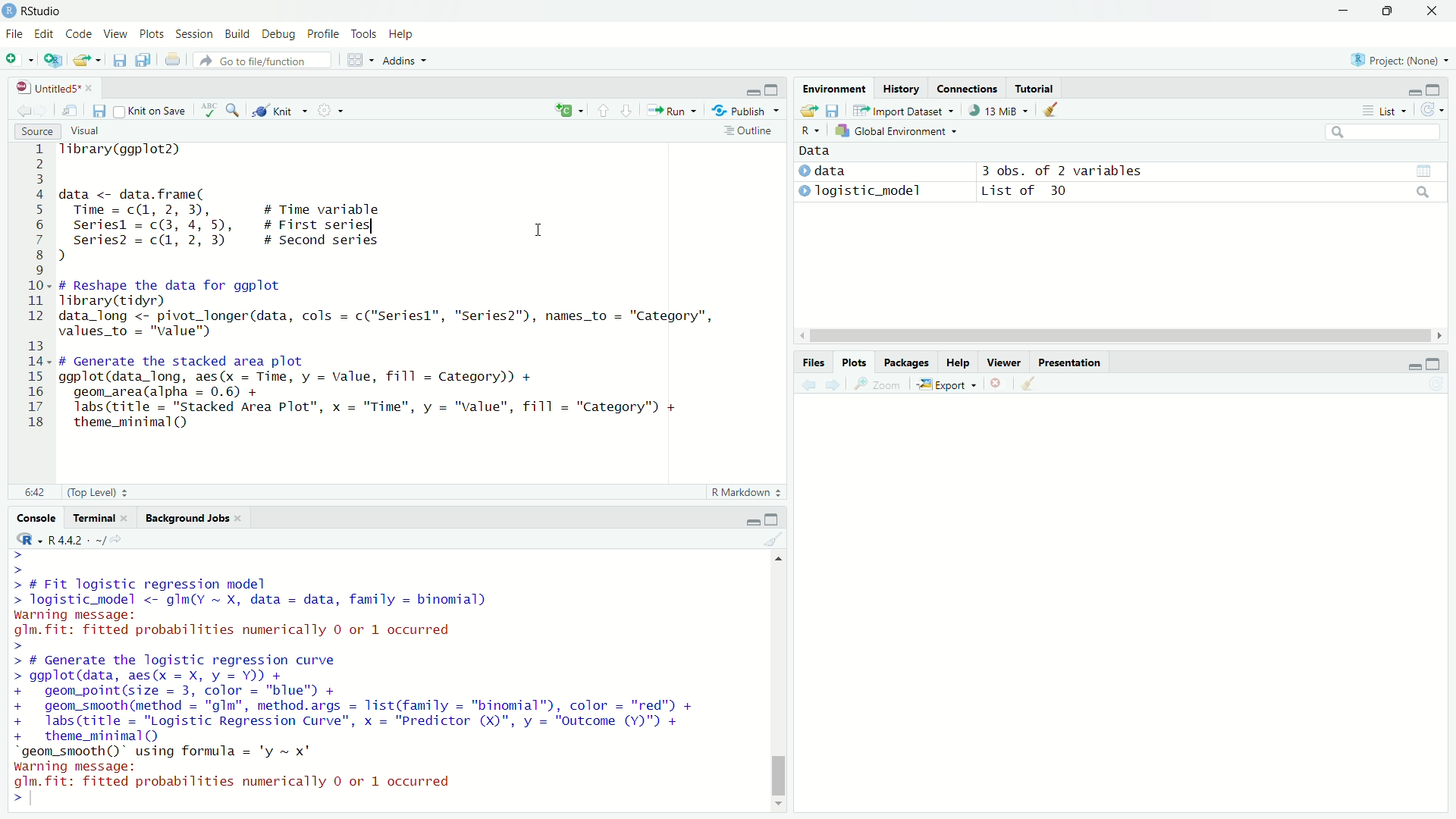  Describe the element at coordinates (188, 519) in the screenshot. I see `Background Jobs` at that location.